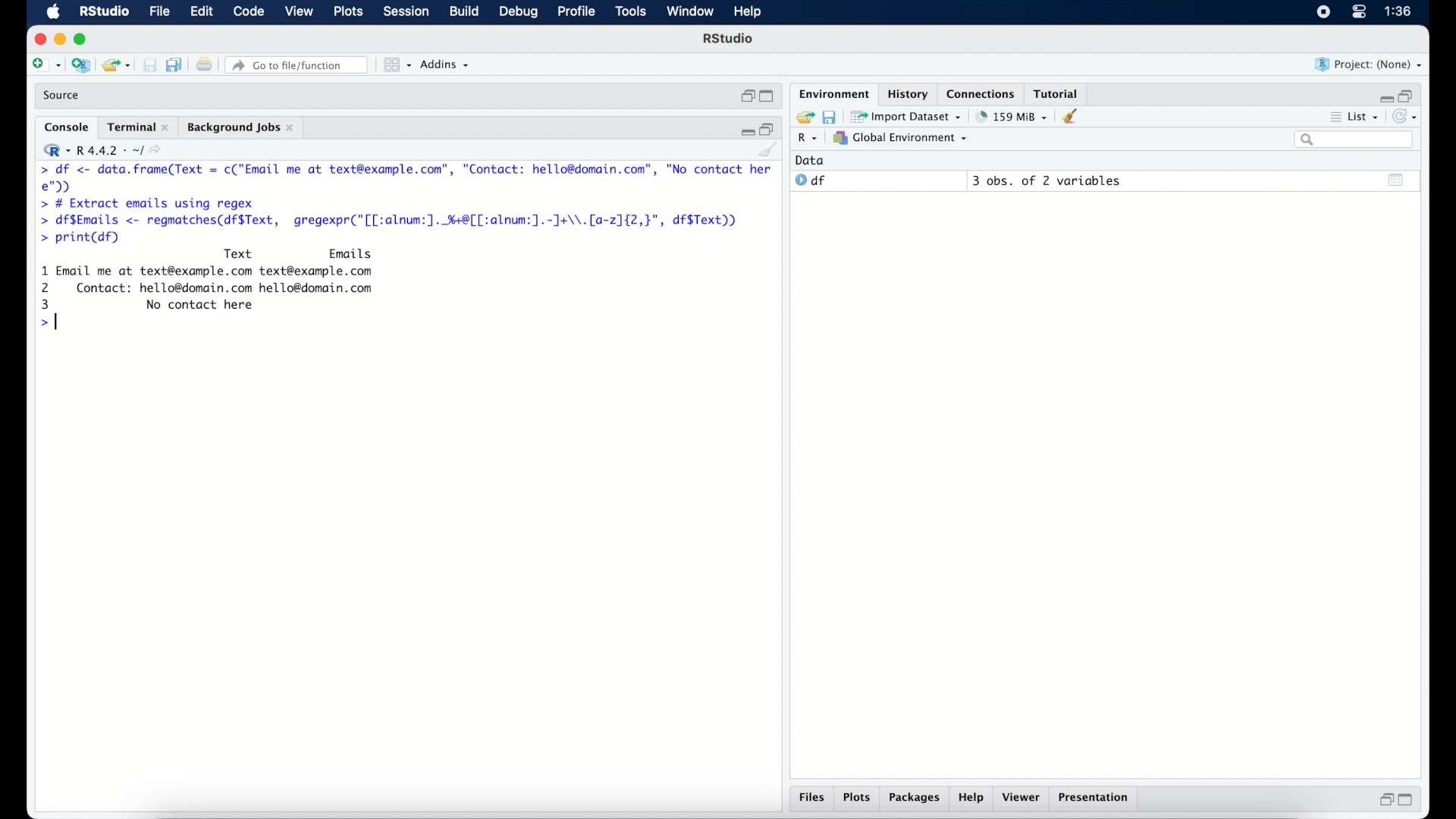 The height and width of the screenshot is (819, 1456). What do you see at coordinates (857, 797) in the screenshot?
I see `plots` at bounding box center [857, 797].